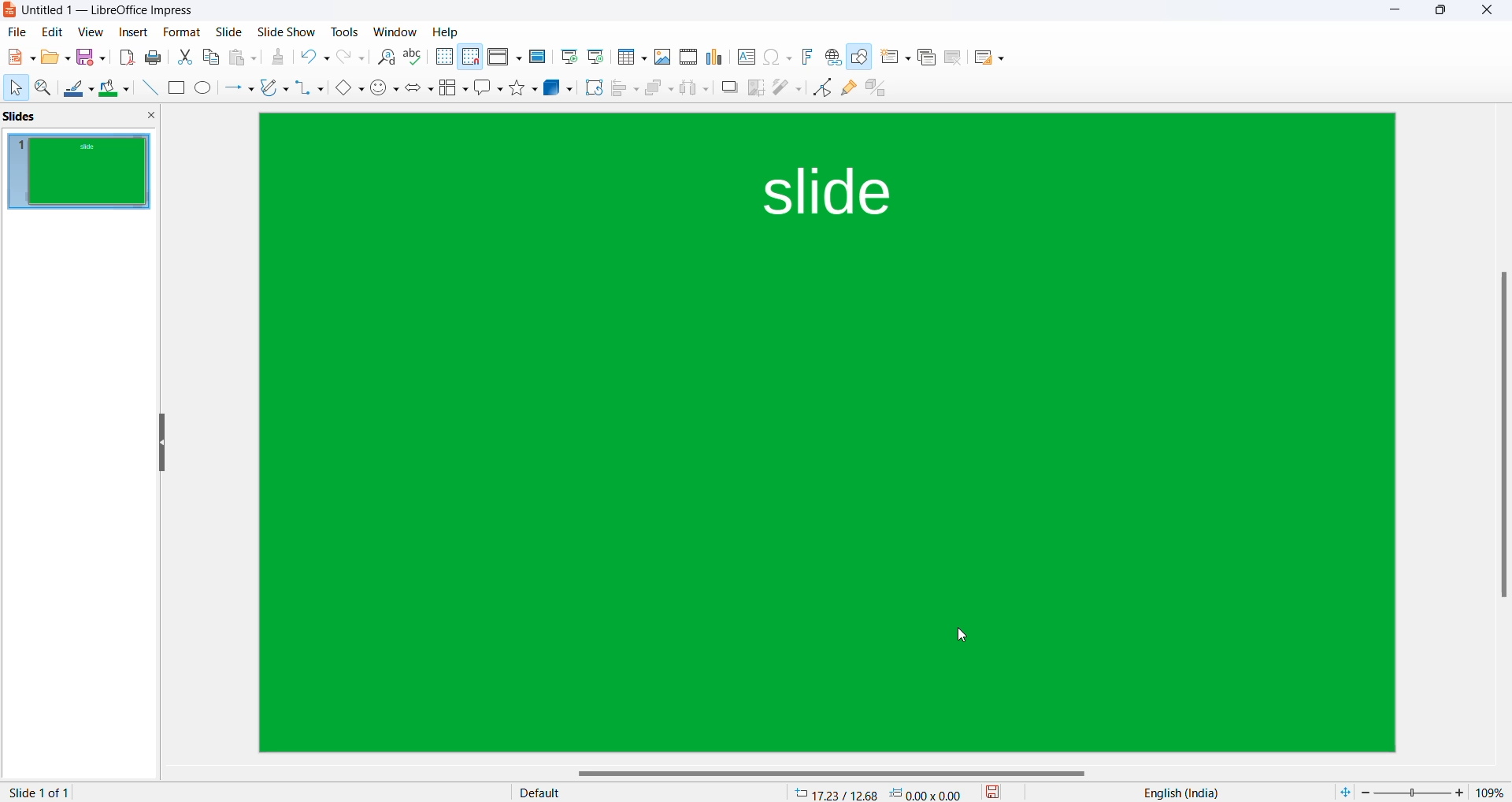 The height and width of the screenshot is (802, 1512). What do you see at coordinates (696, 89) in the screenshot?
I see `object distribution` at bounding box center [696, 89].